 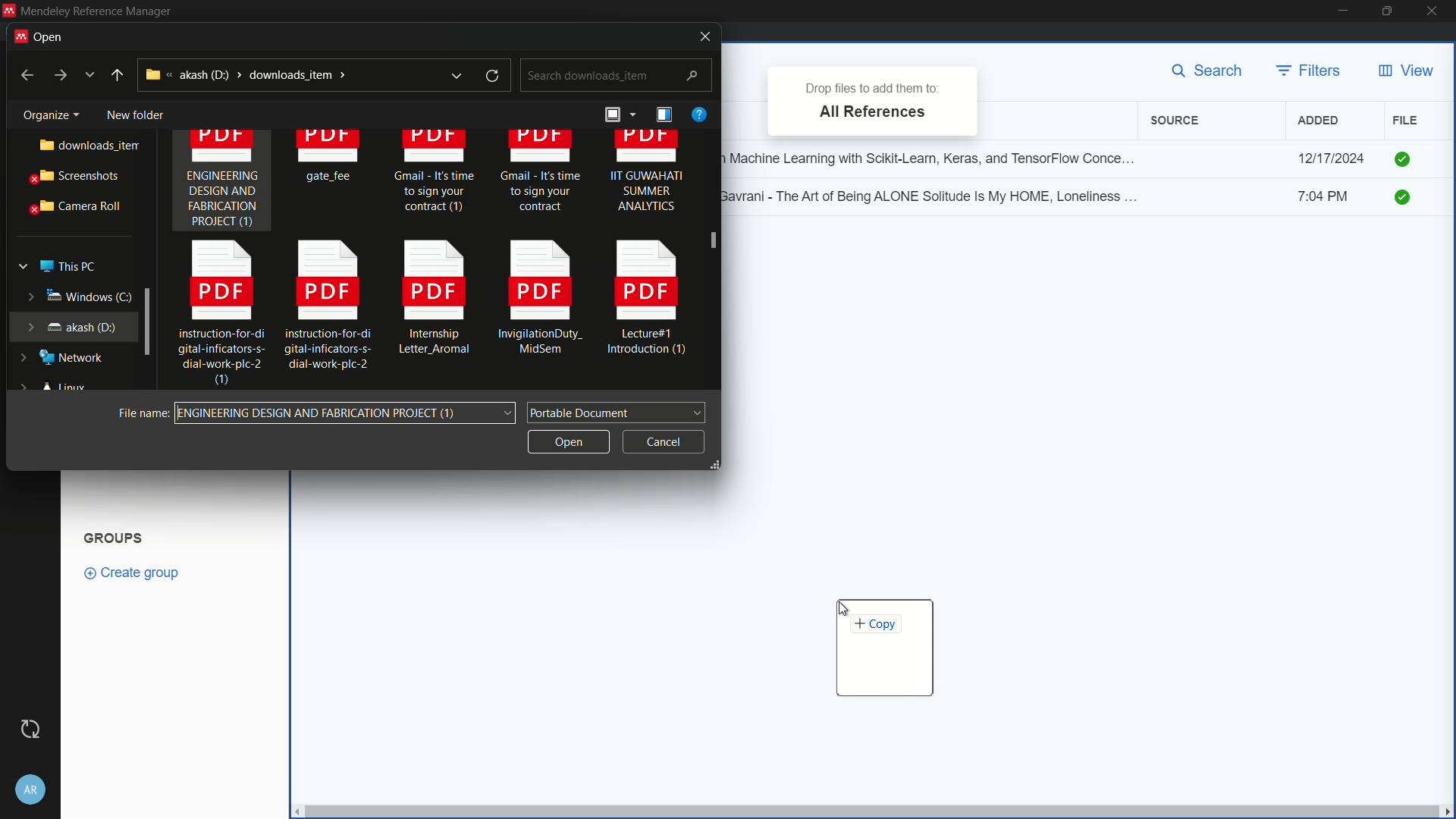 I want to click on cursor, so click(x=851, y=608).